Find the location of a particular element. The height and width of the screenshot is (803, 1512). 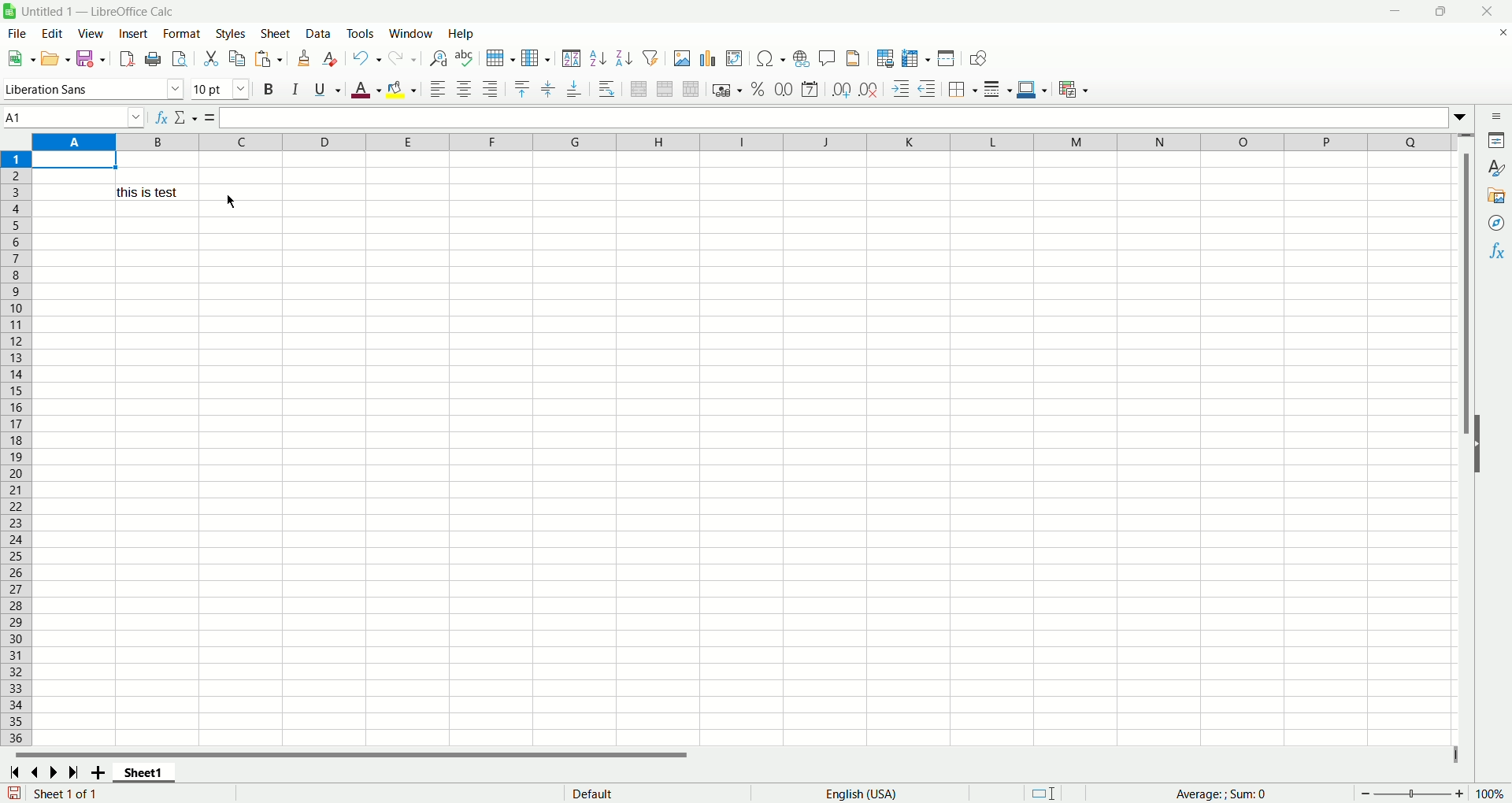

document name is located at coordinates (164, 12).